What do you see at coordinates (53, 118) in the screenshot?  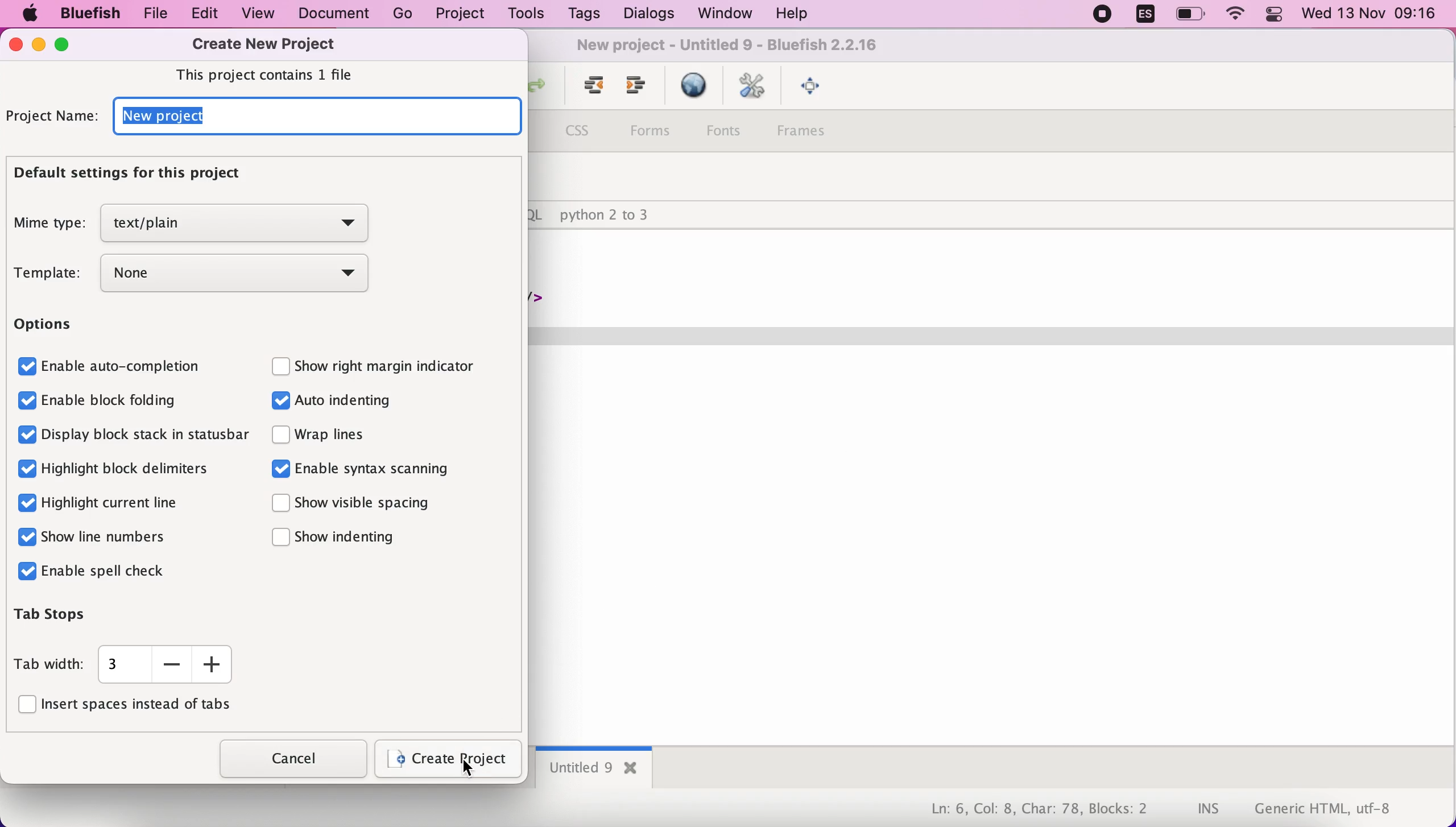 I see `project name:` at bounding box center [53, 118].